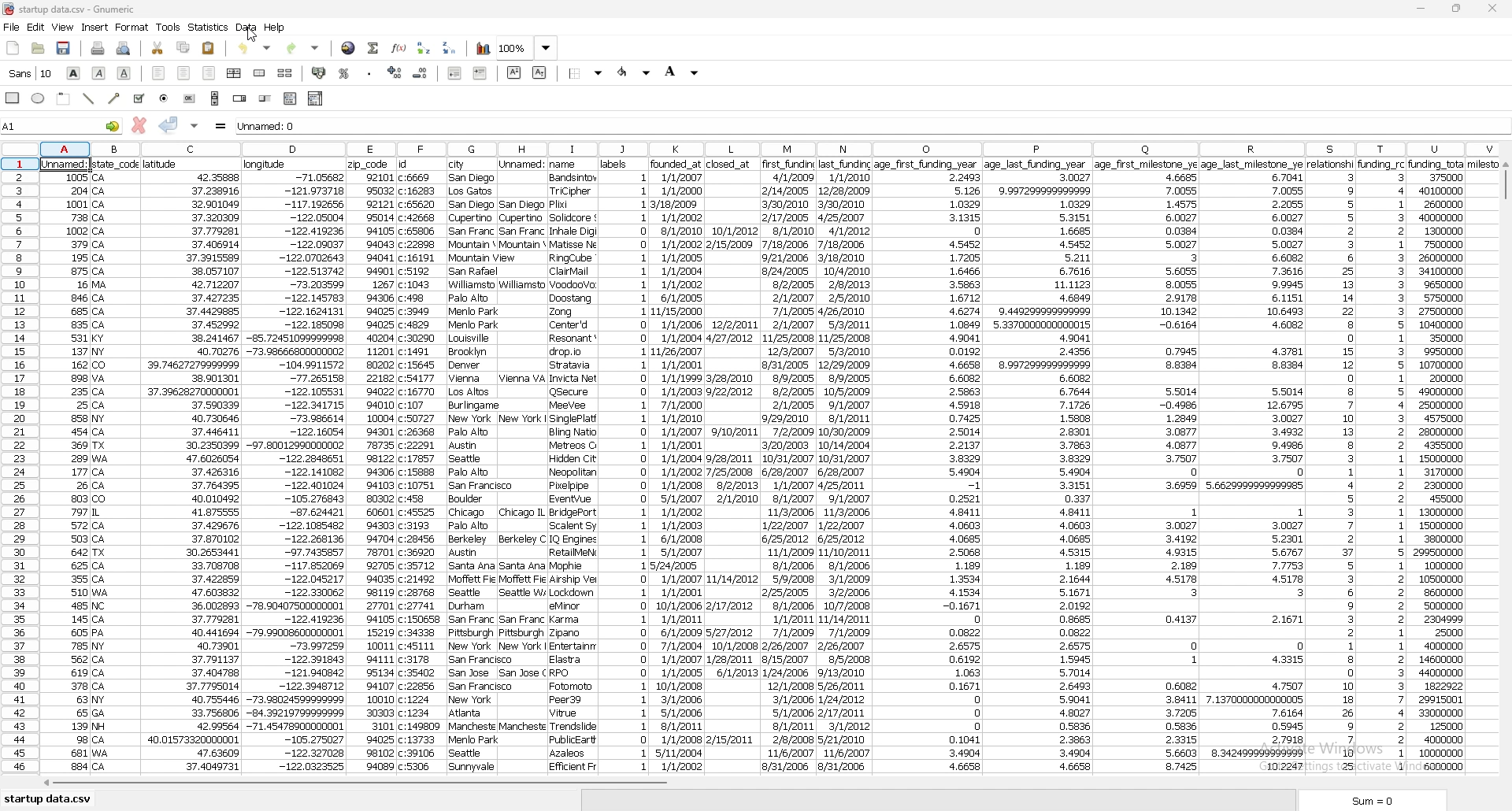 Image resolution: width=1512 pixels, height=811 pixels. What do you see at coordinates (1504, 472) in the screenshot?
I see `scroll bar` at bounding box center [1504, 472].